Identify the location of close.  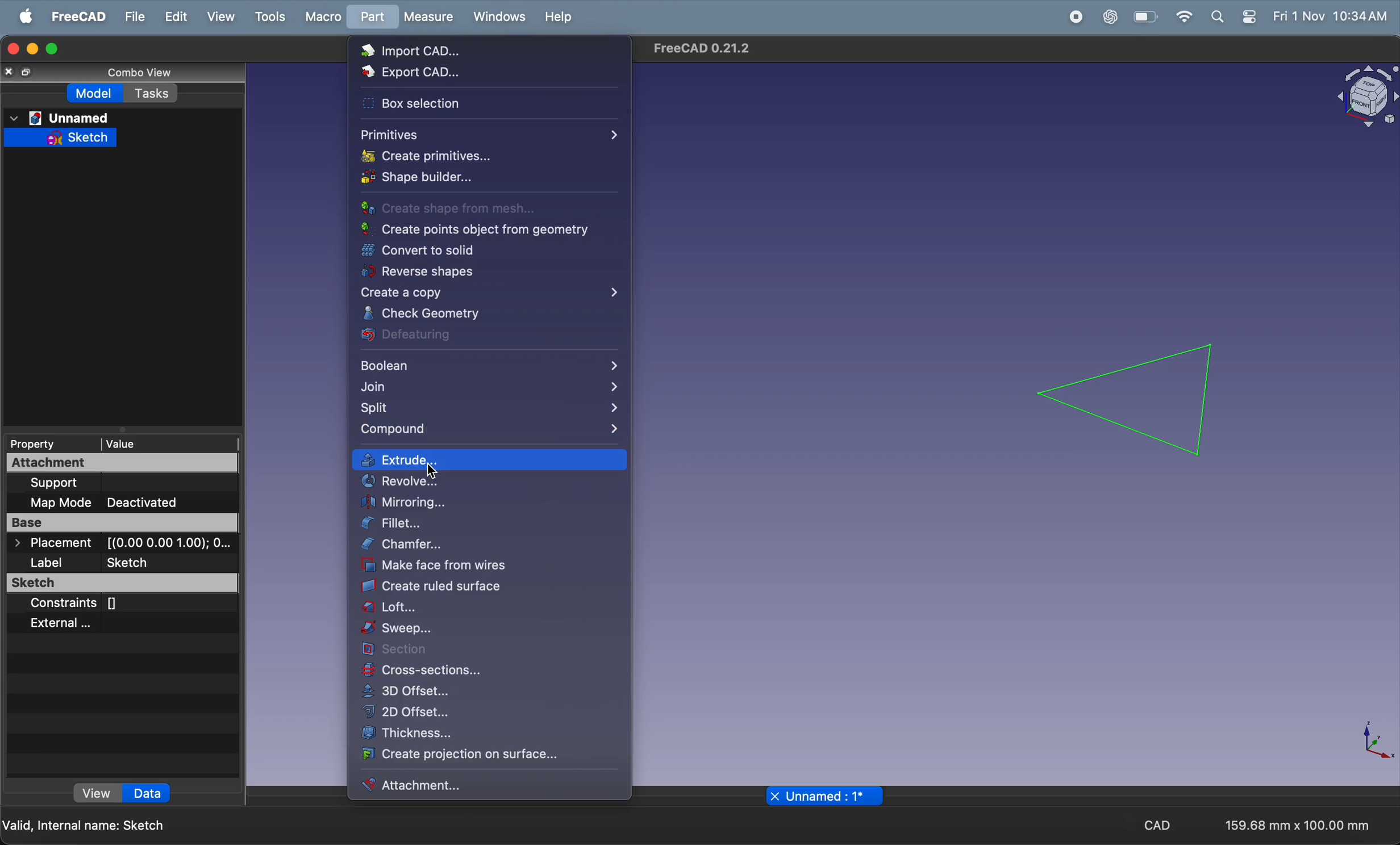
(10, 71).